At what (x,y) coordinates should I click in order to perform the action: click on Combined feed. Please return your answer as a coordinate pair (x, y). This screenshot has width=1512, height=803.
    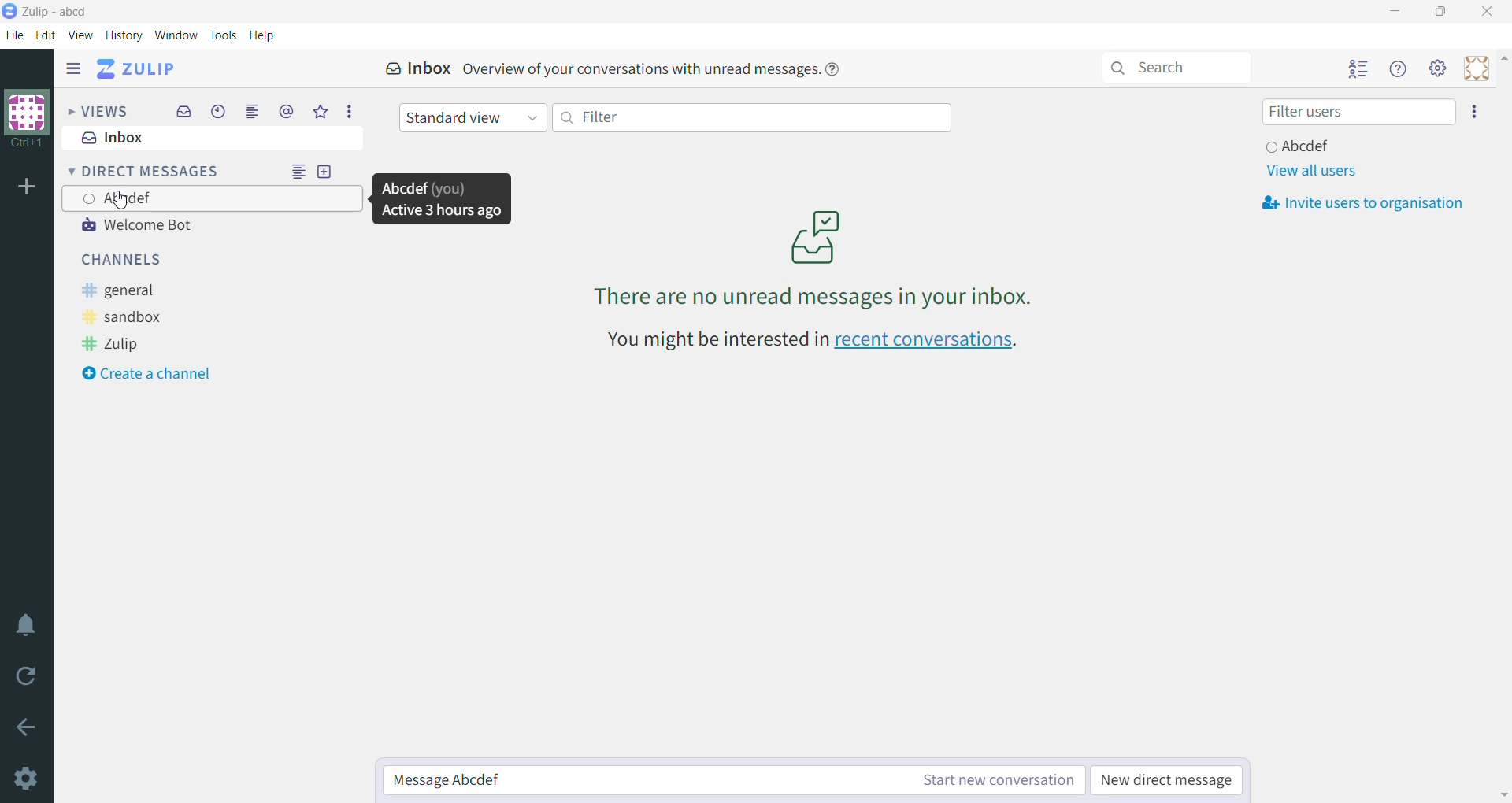
    Looking at the image, I should click on (252, 112).